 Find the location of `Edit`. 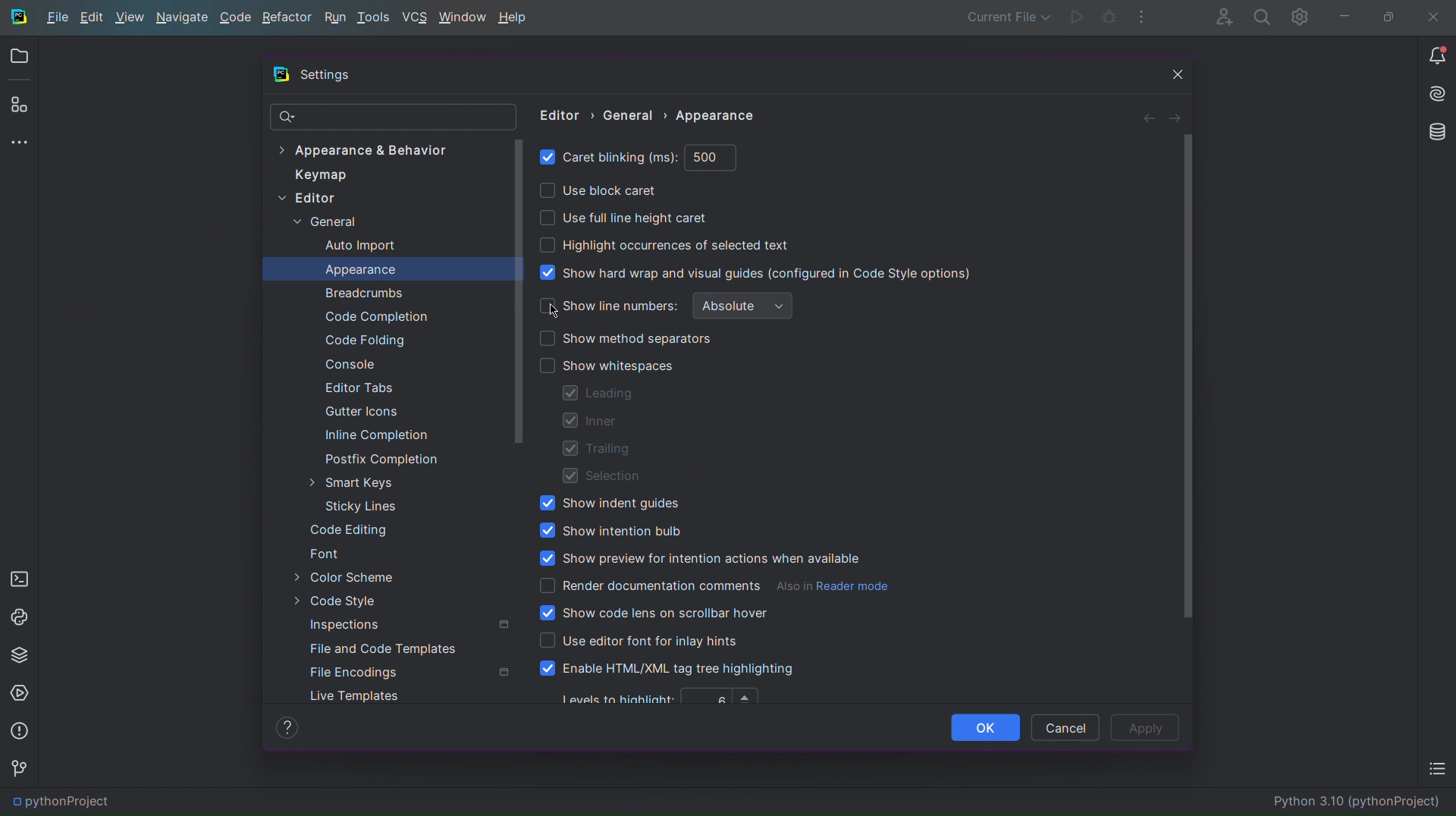

Edit is located at coordinates (89, 19).